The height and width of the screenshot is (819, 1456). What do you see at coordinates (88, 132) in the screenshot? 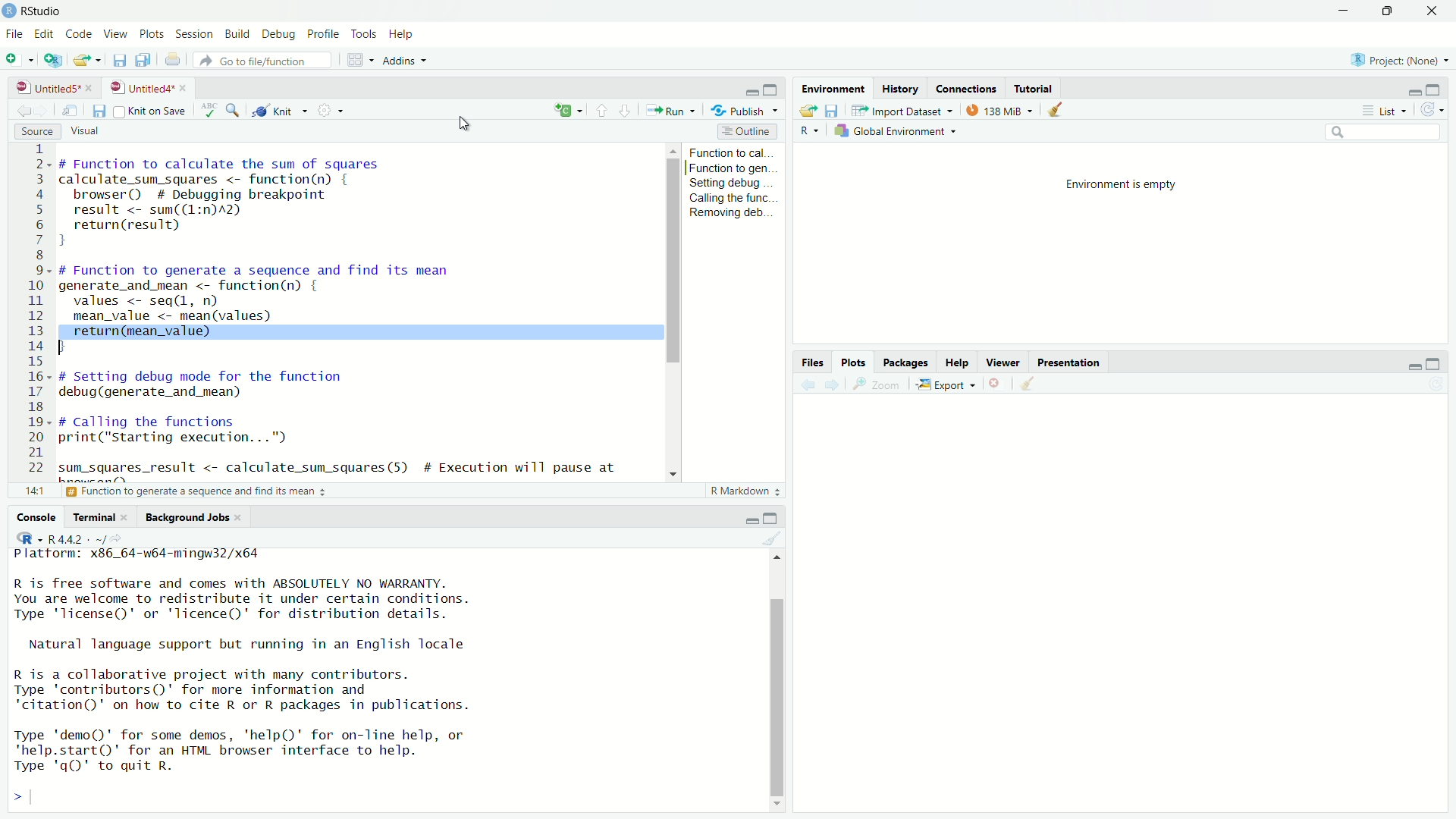
I see `visual` at bounding box center [88, 132].